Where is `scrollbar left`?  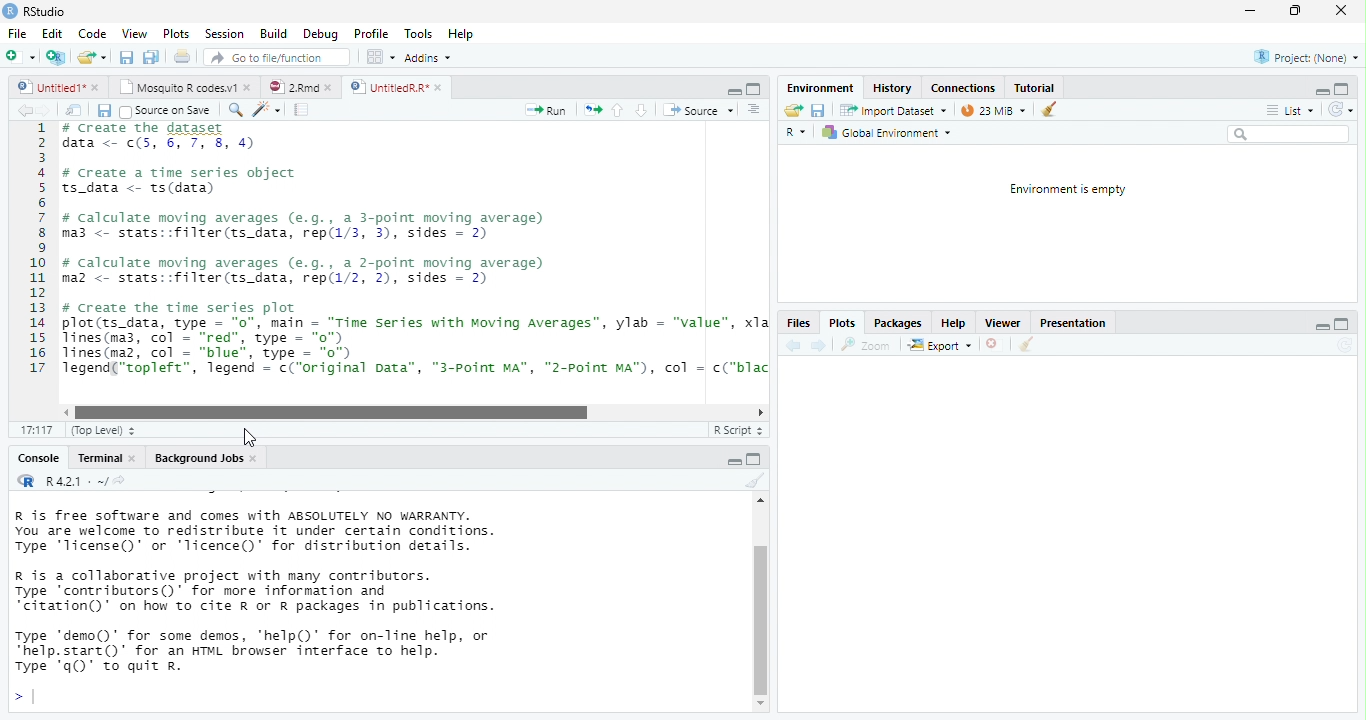
scrollbar left is located at coordinates (63, 412).